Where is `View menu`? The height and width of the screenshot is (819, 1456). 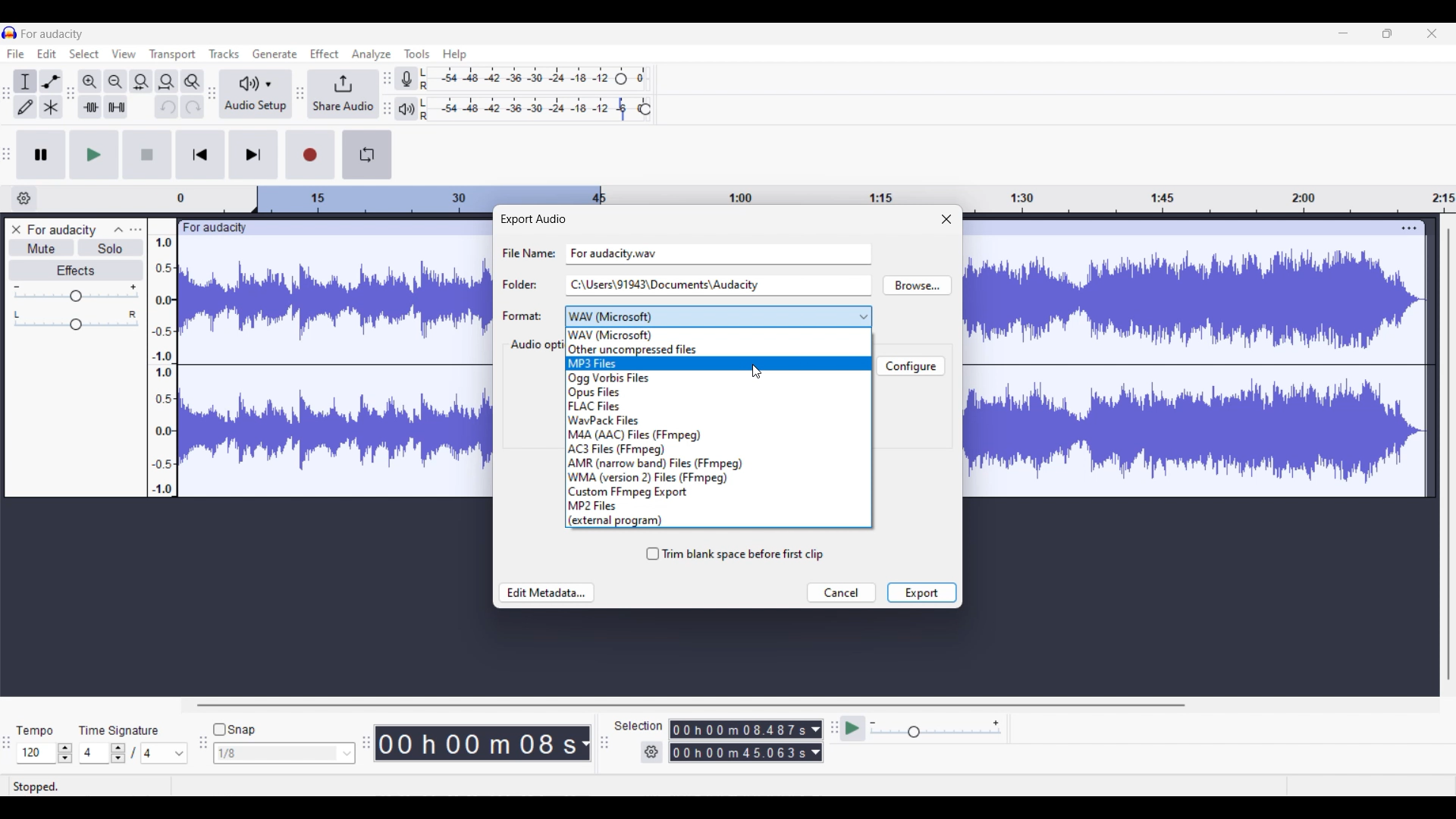
View menu is located at coordinates (124, 54).